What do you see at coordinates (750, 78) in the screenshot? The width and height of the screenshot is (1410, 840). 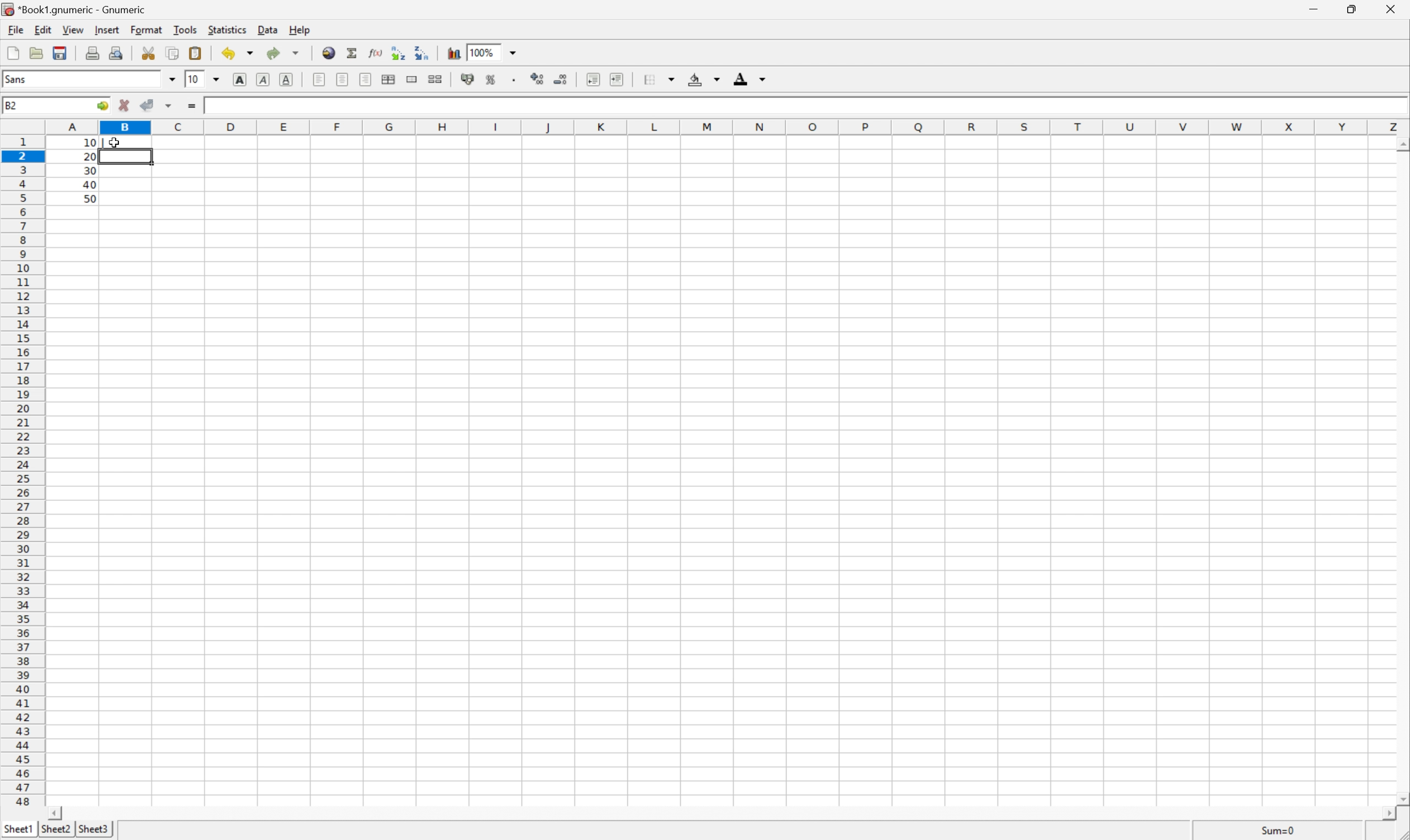 I see `Foreground` at bounding box center [750, 78].